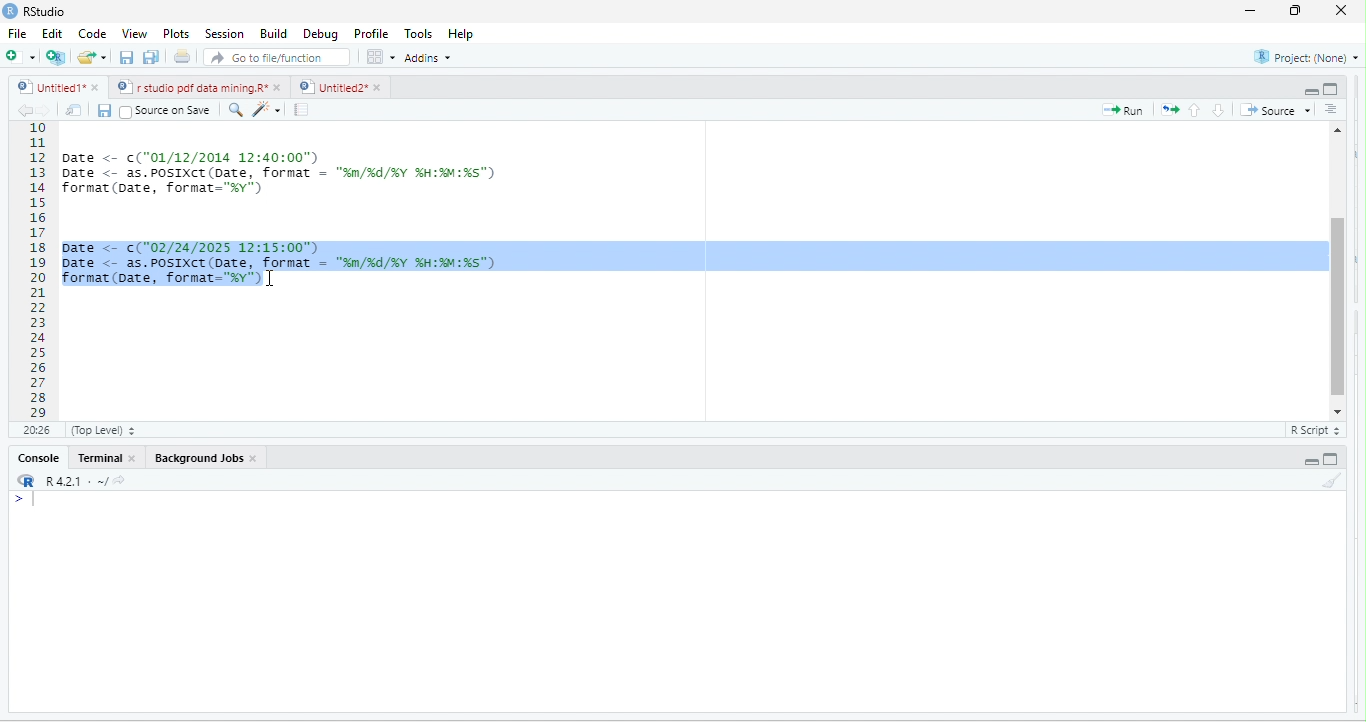  What do you see at coordinates (1332, 483) in the screenshot?
I see `clear console` at bounding box center [1332, 483].